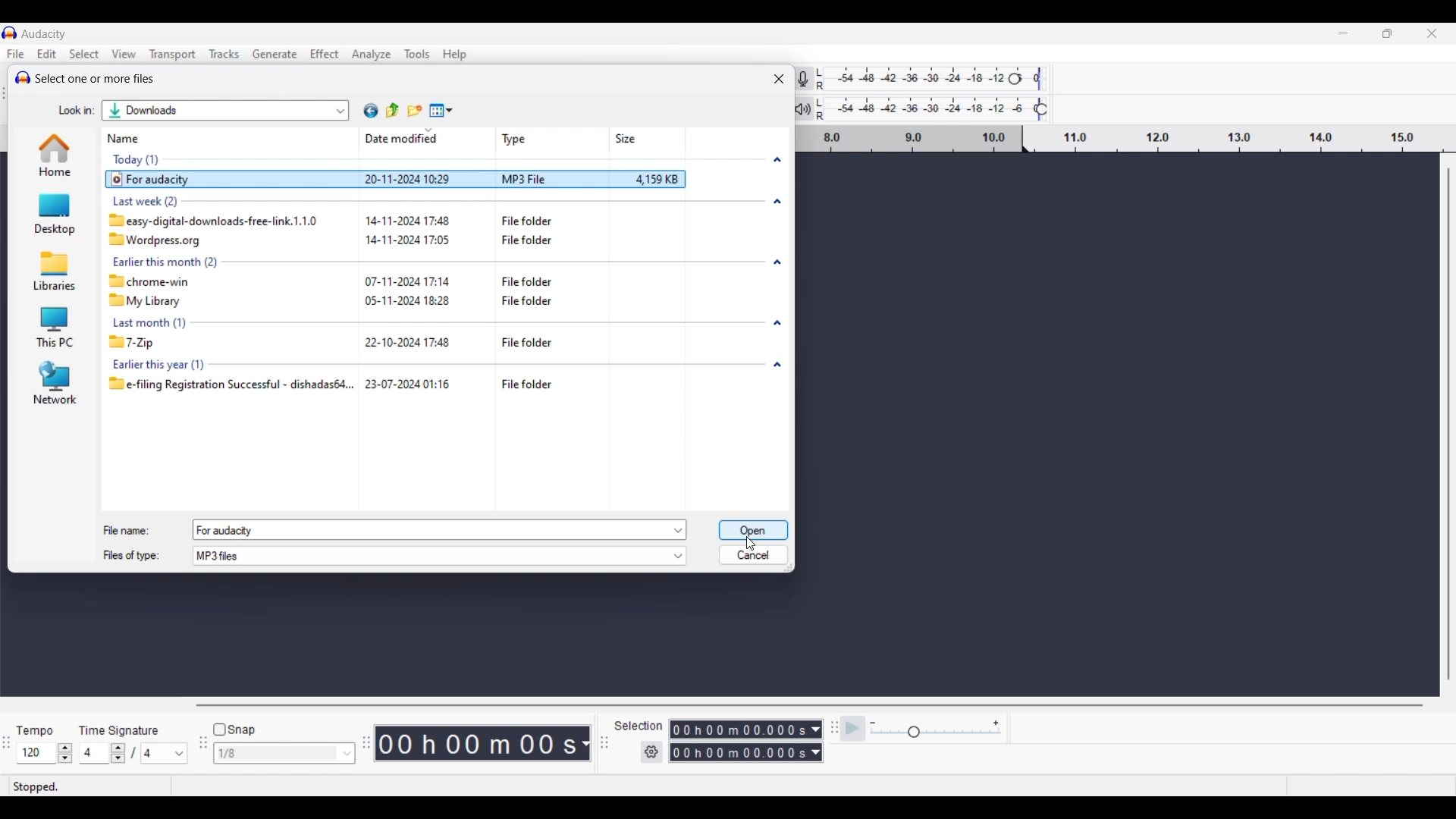  What do you see at coordinates (353, 219) in the screenshot?
I see `1 easy-digital-downloads-free-link.1.1.0 14-11-2024 17:48 File folder` at bounding box center [353, 219].